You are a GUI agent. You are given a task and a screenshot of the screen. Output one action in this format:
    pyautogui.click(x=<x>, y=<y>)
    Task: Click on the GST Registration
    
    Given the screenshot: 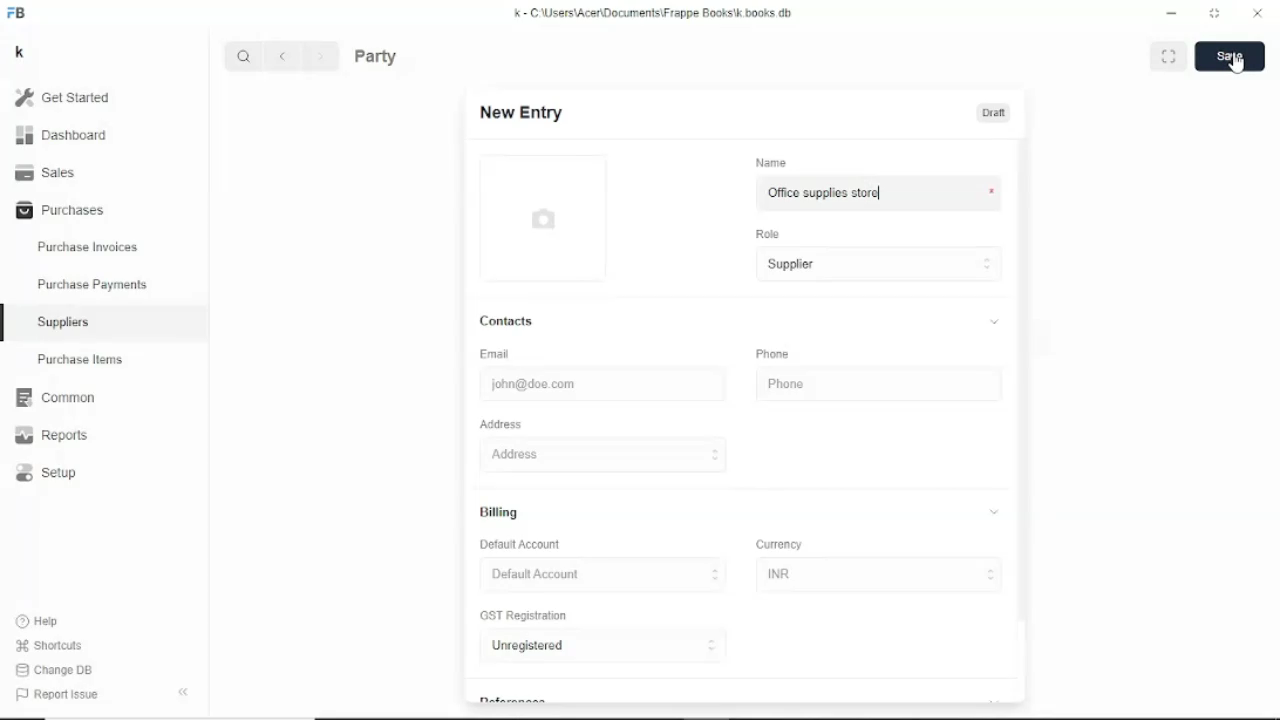 What is the action you would take?
    pyautogui.click(x=526, y=617)
    